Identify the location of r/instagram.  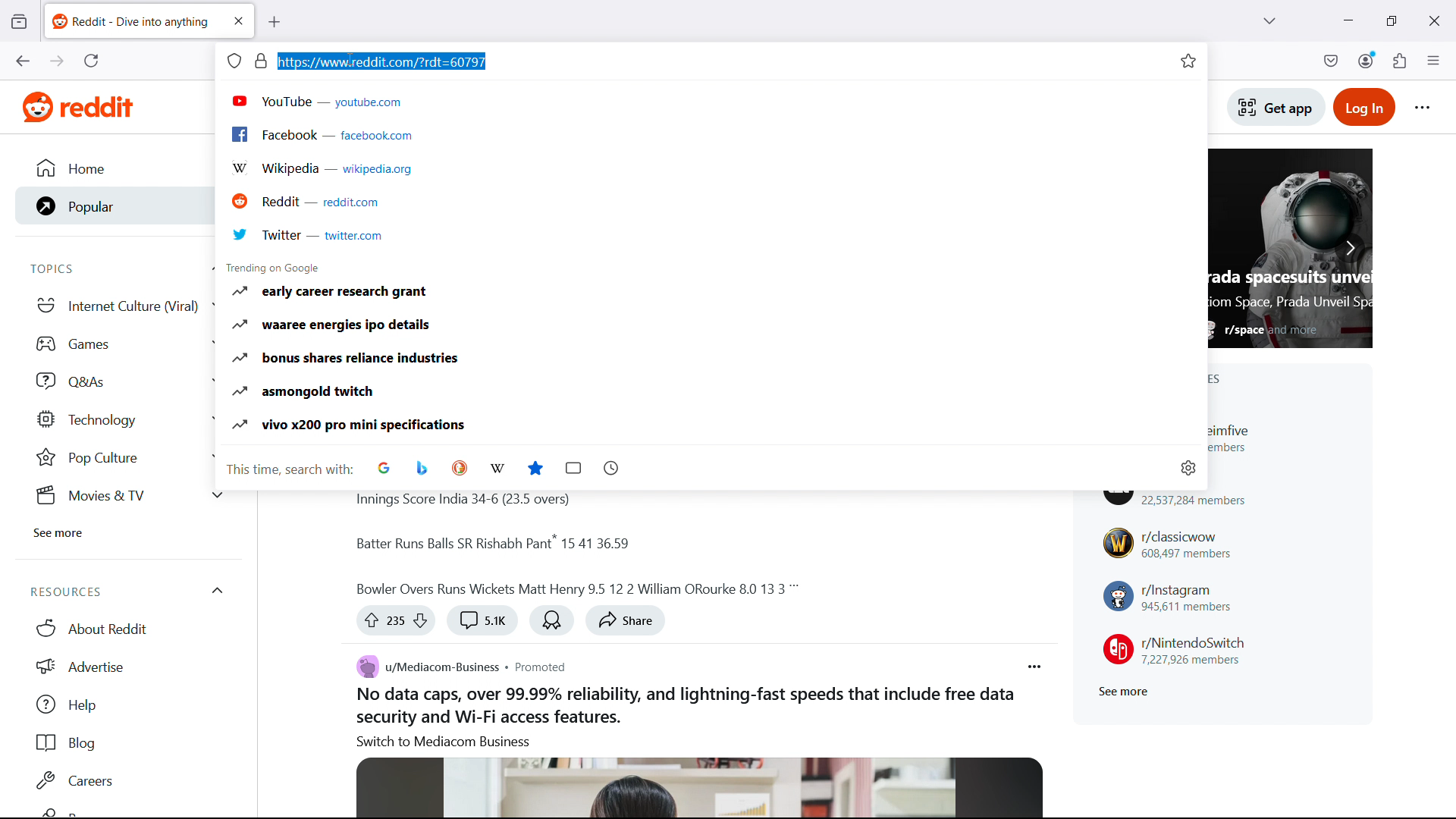
(1169, 597).